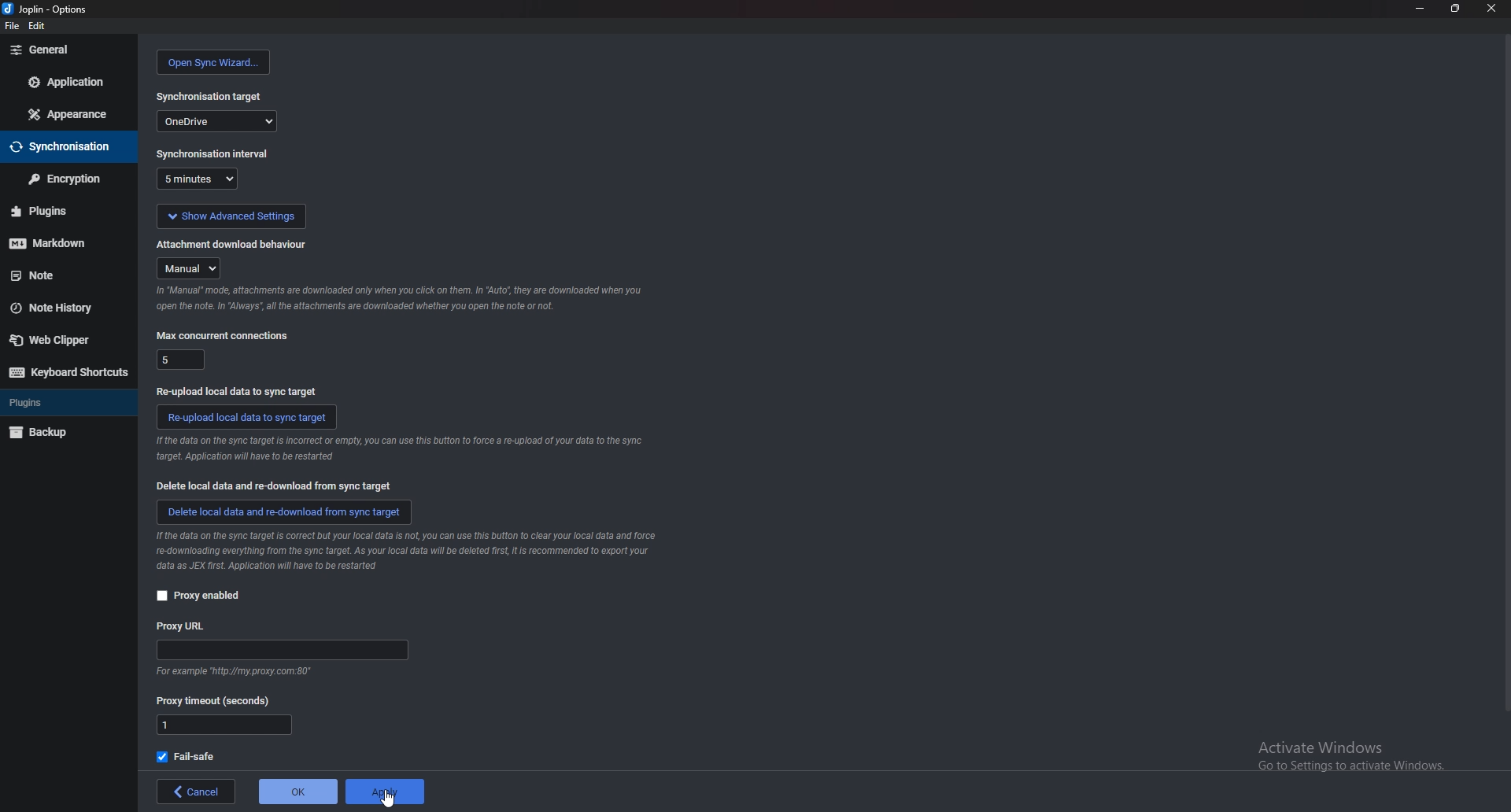 This screenshot has width=1511, height=812. What do you see at coordinates (36, 26) in the screenshot?
I see `edit` at bounding box center [36, 26].